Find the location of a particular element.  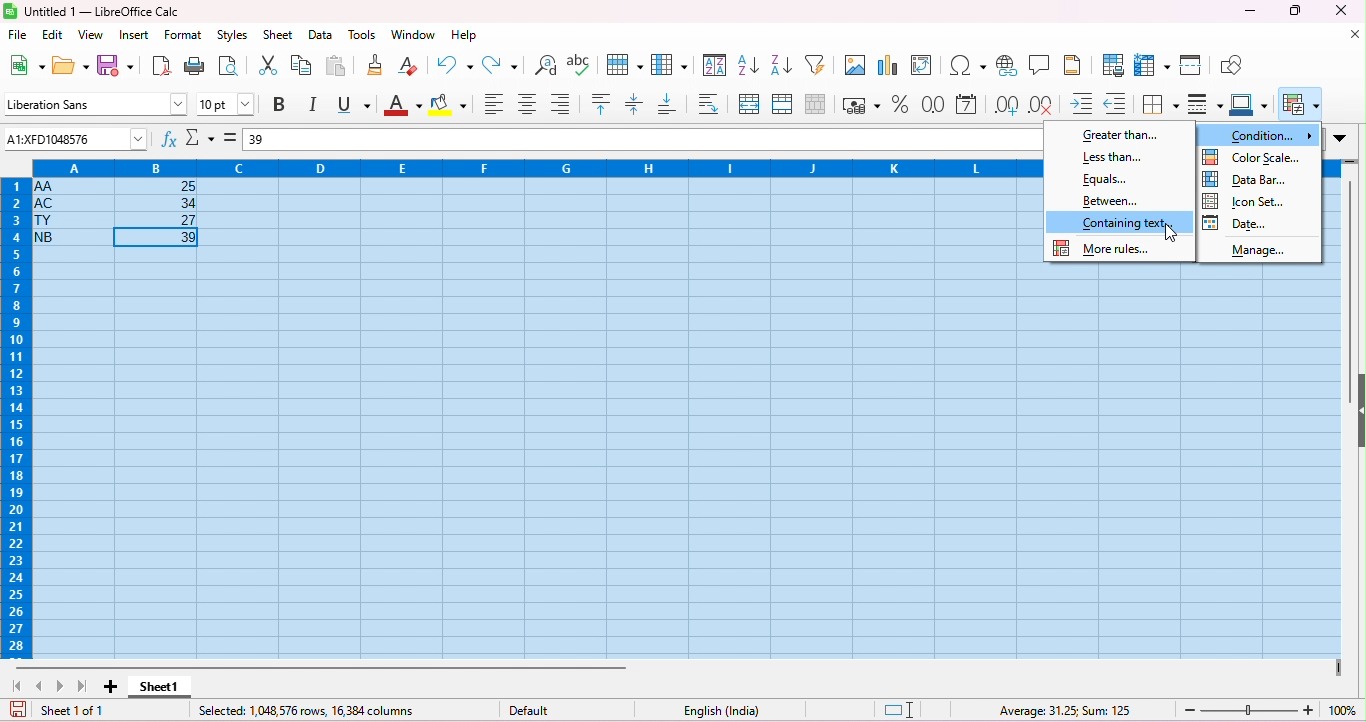

last sheet is located at coordinates (82, 687).